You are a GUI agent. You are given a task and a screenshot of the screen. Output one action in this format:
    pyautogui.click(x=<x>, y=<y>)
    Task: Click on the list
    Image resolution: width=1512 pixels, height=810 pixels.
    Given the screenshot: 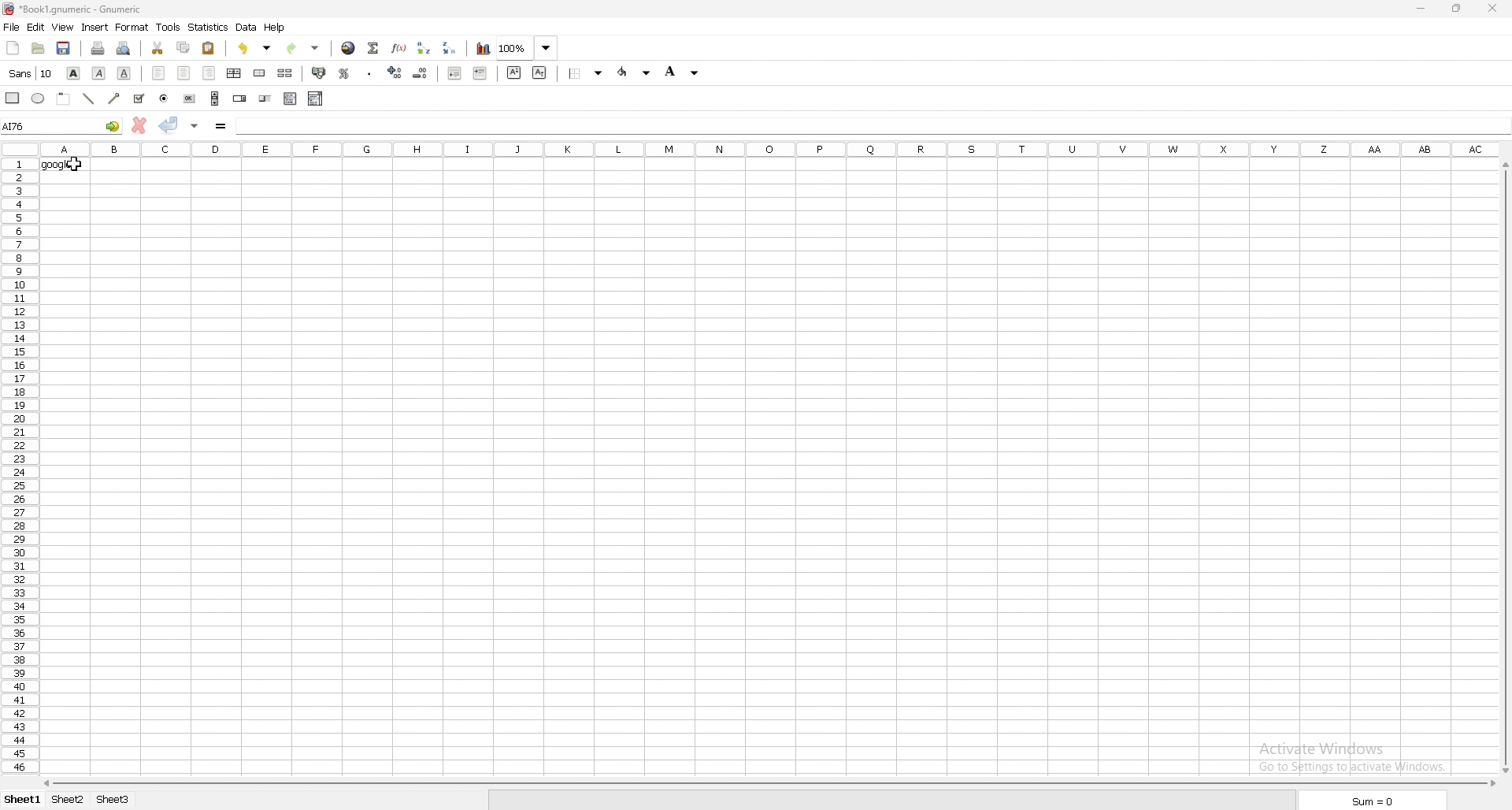 What is the action you would take?
    pyautogui.click(x=290, y=98)
    